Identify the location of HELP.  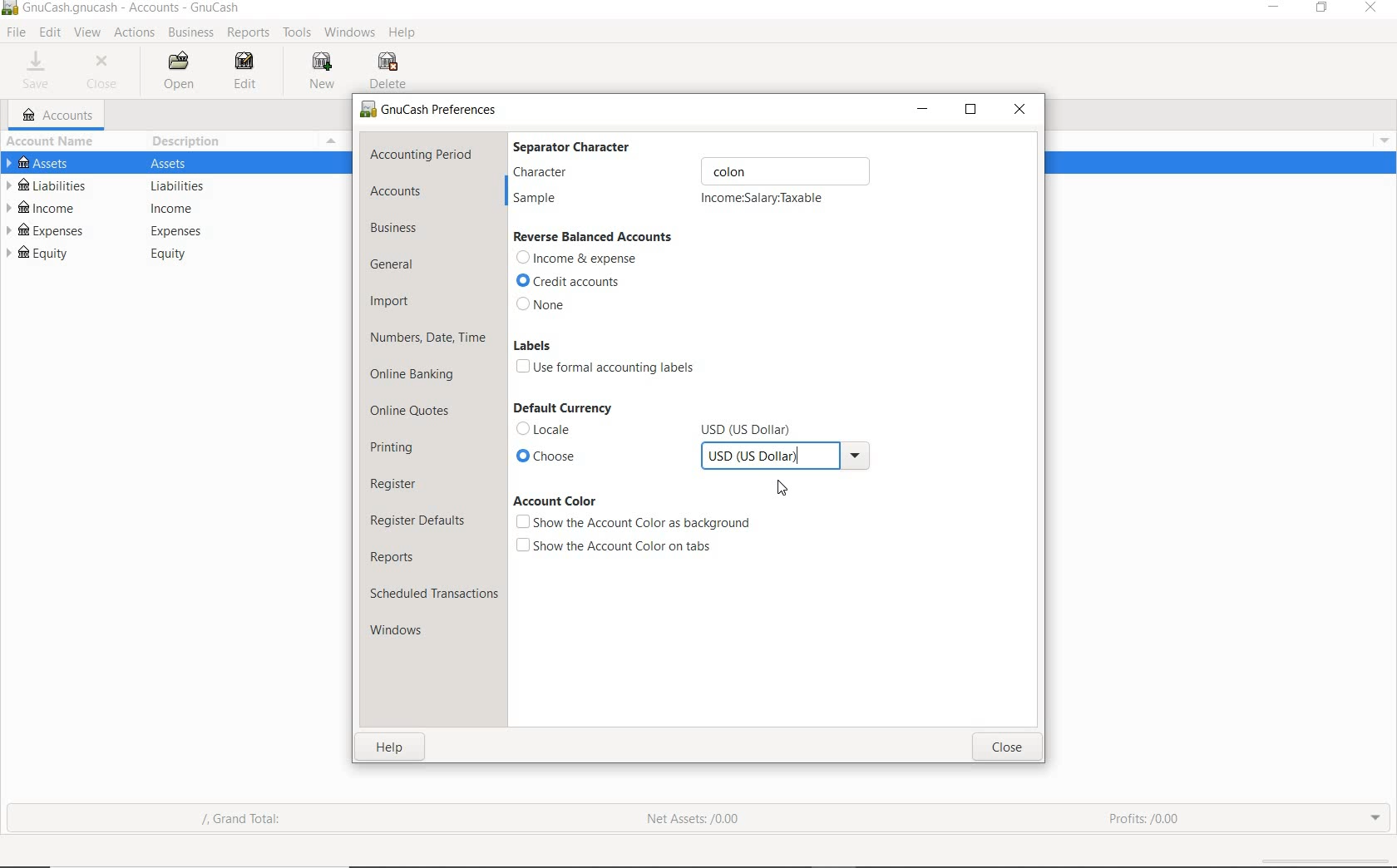
(405, 33).